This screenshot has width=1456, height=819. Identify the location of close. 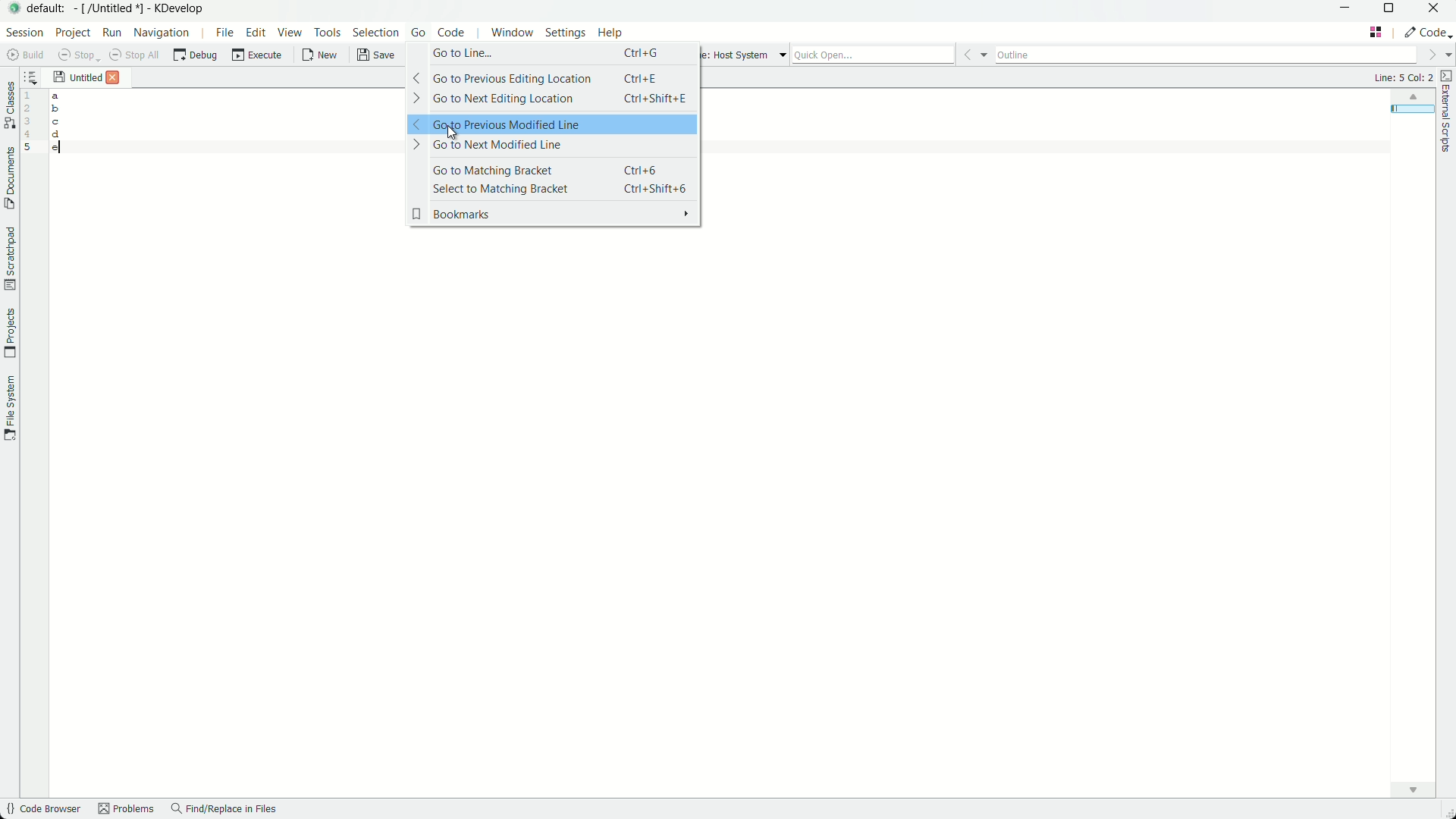
(112, 78).